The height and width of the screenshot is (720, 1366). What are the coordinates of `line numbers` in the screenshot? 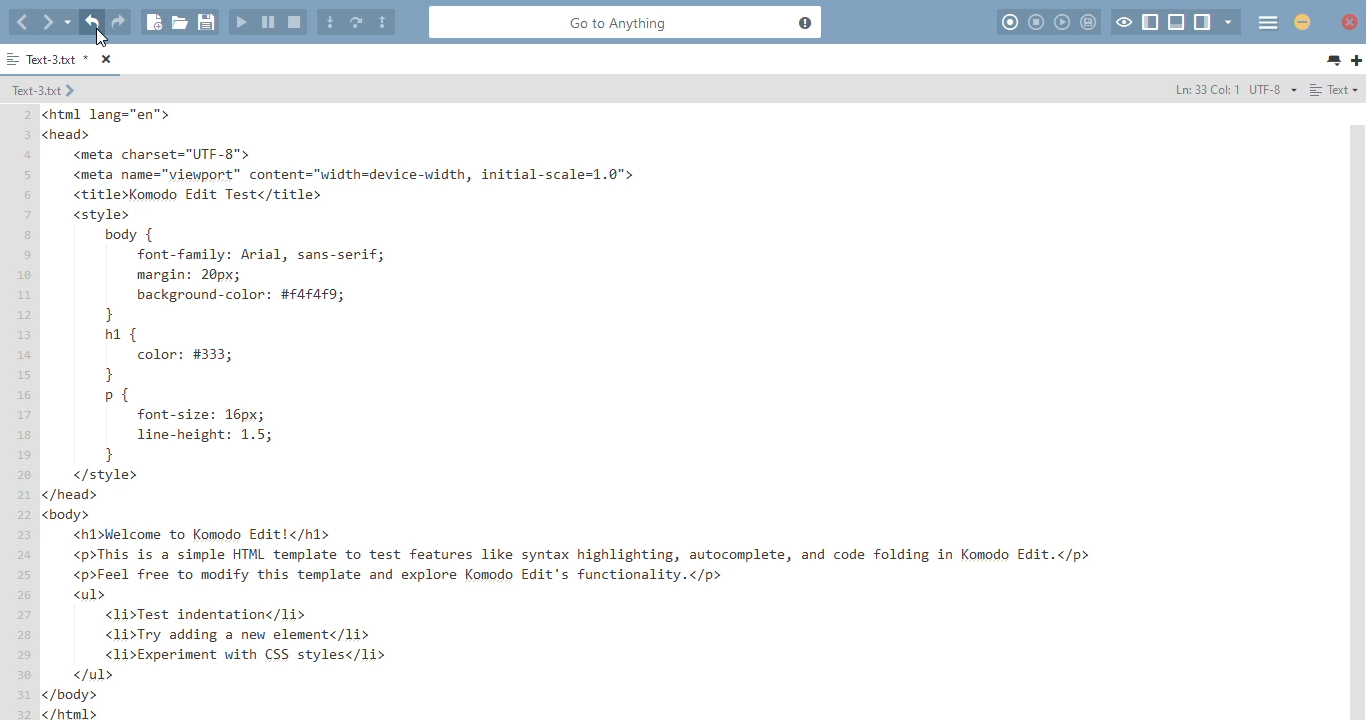 It's located at (26, 411).